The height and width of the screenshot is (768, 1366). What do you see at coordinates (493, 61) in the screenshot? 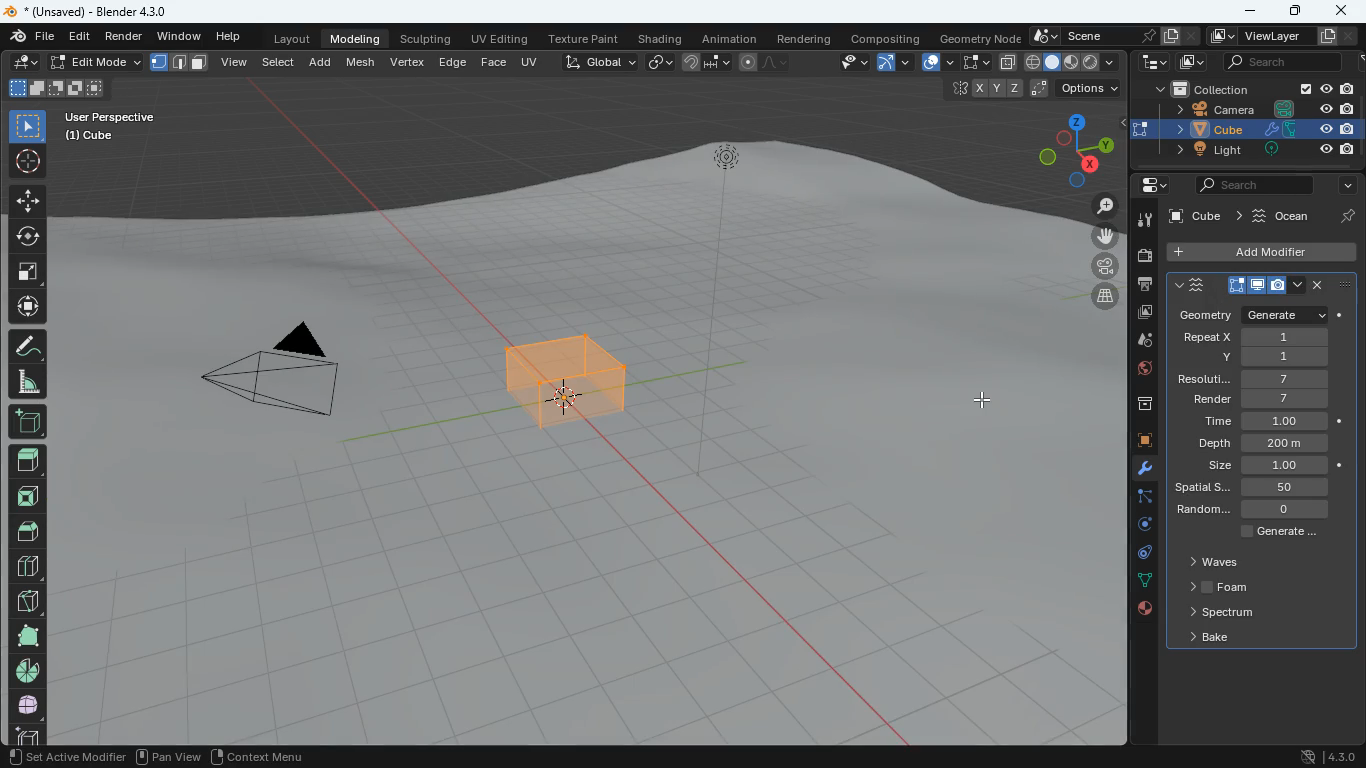
I see `face` at bounding box center [493, 61].